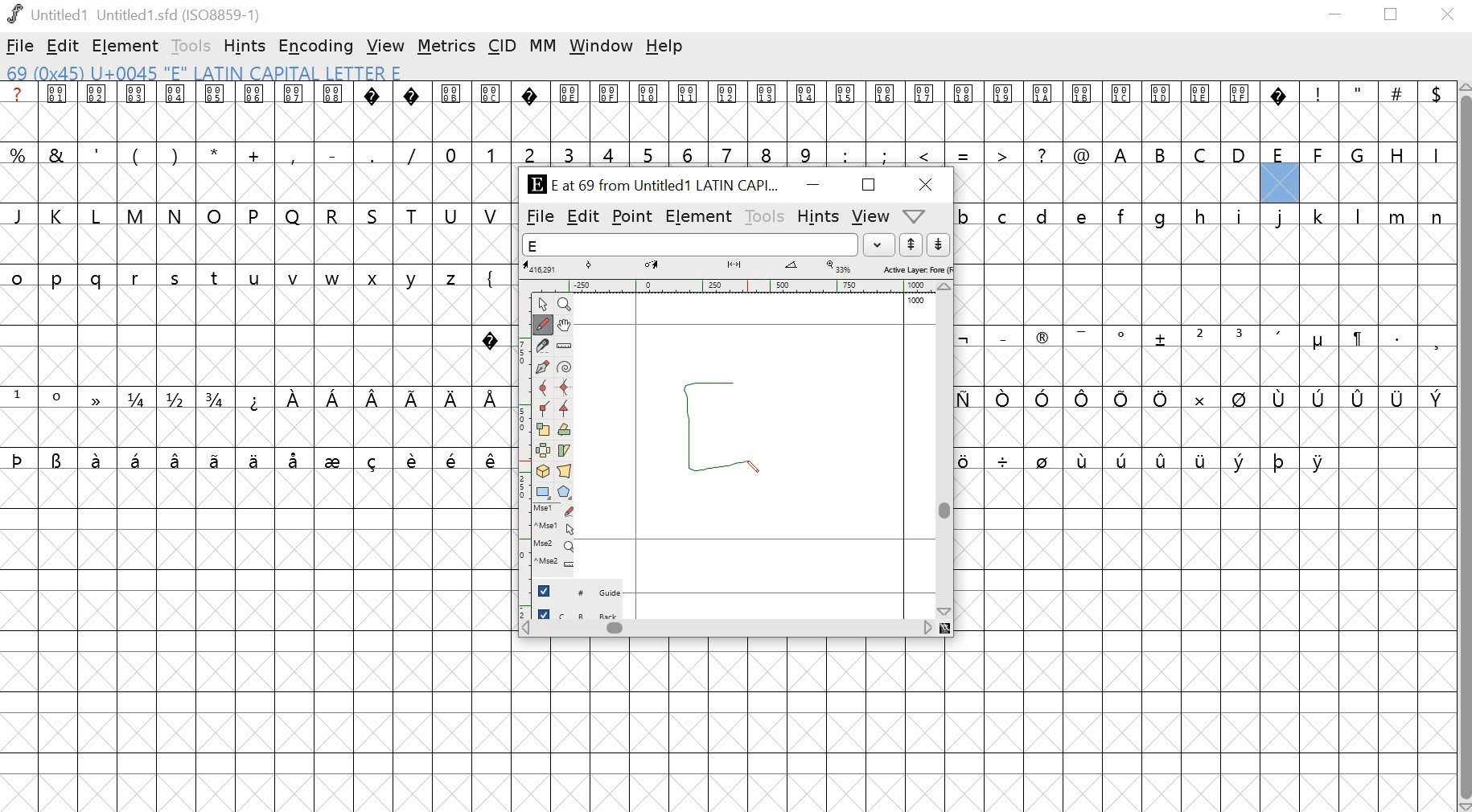  What do you see at coordinates (1207, 367) in the screenshot?
I see `empty cells` at bounding box center [1207, 367].